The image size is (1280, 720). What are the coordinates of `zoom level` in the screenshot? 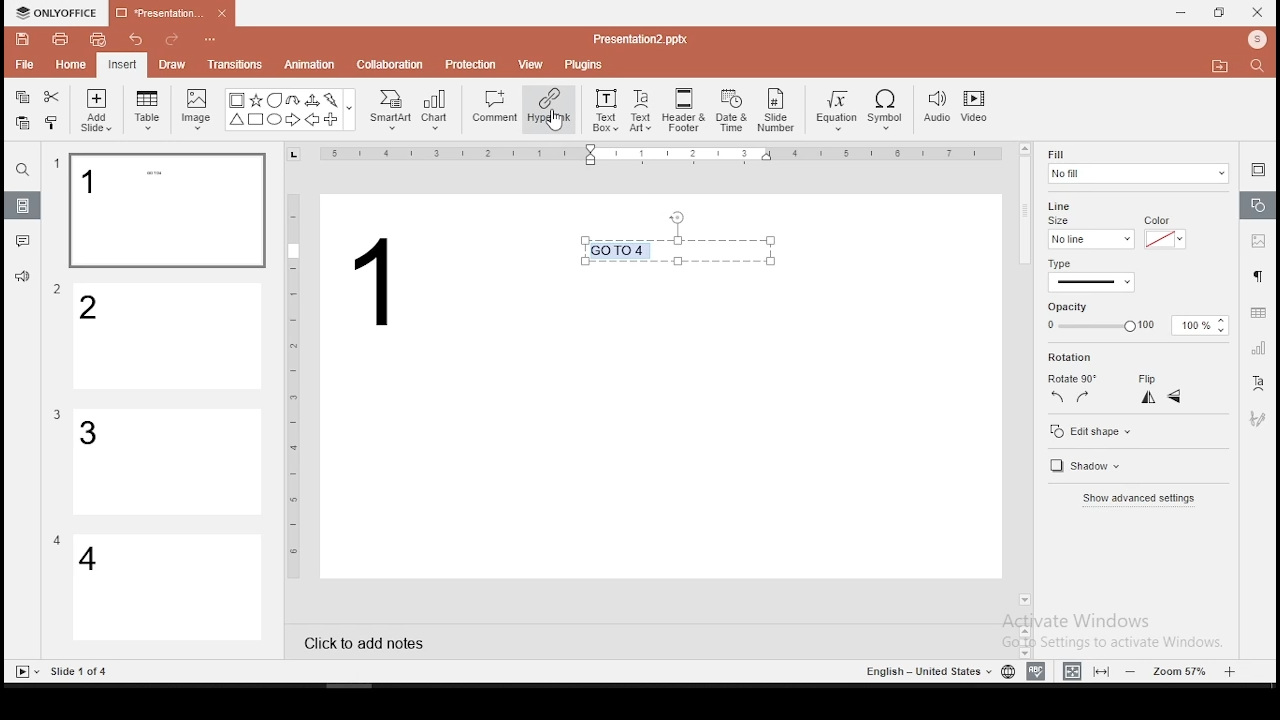 It's located at (1183, 670).